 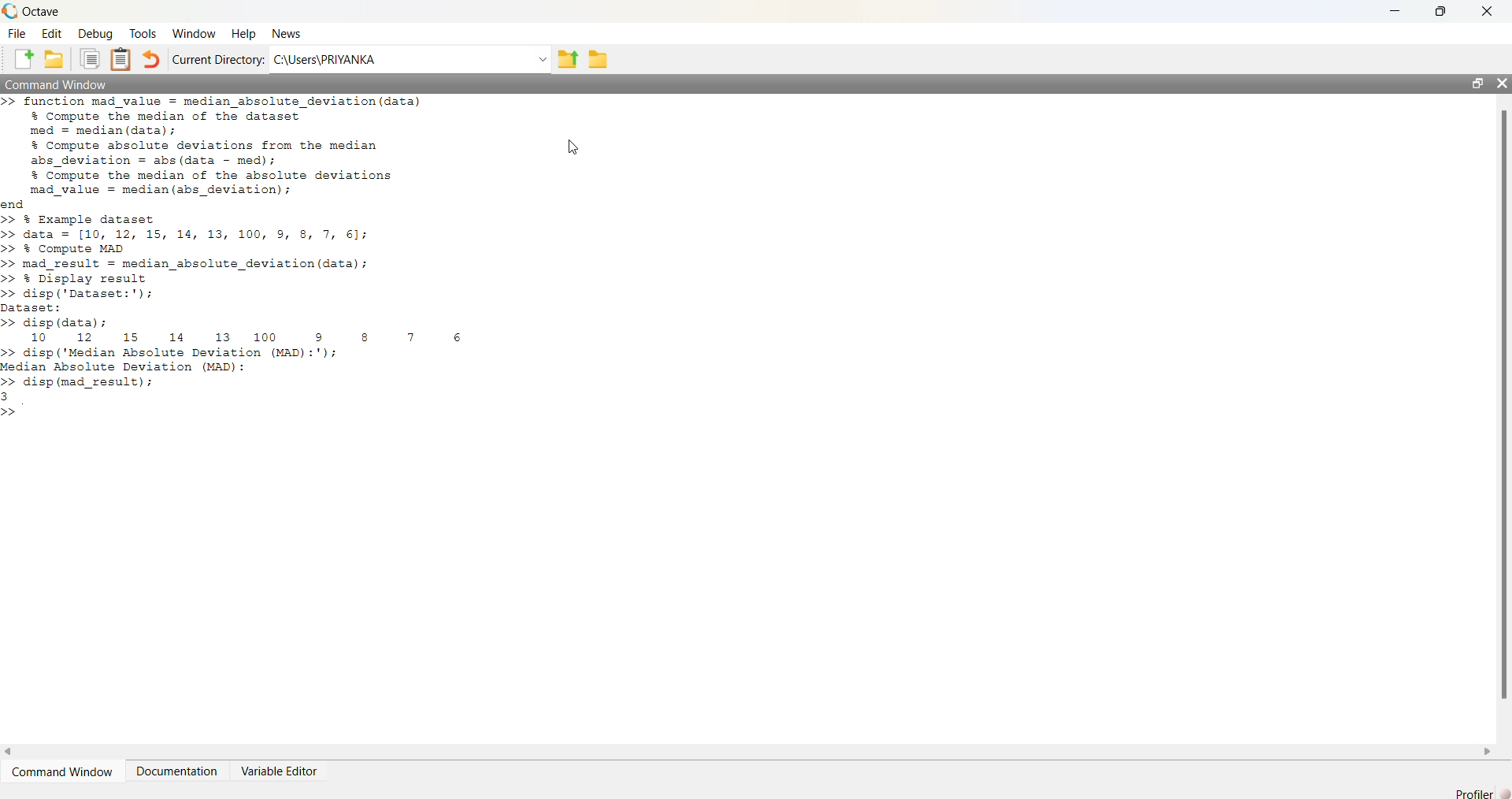 What do you see at coordinates (218, 60) in the screenshot?
I see `Current Directory:` at bounding box center [218, 60].